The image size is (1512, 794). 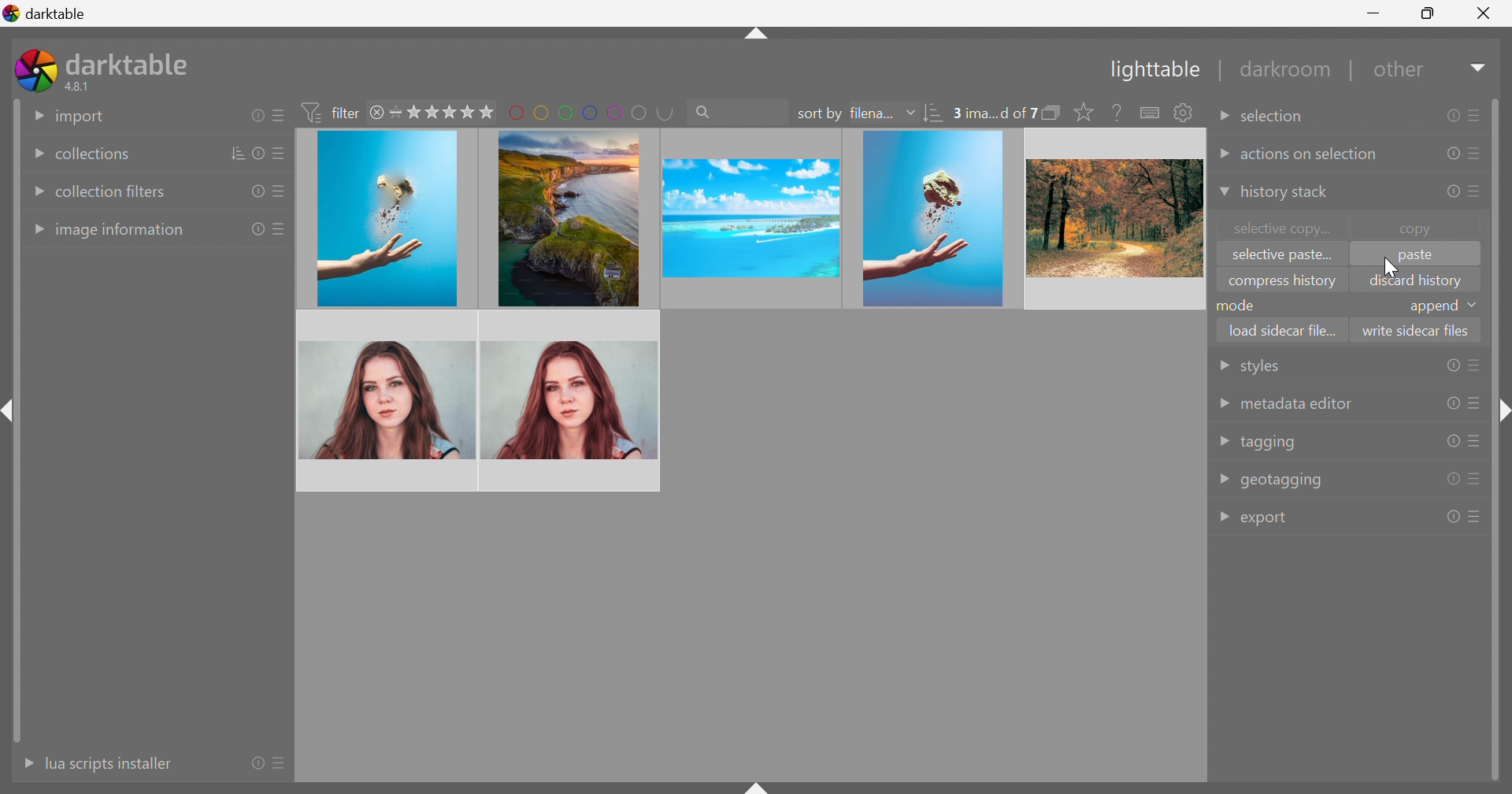 I want to click on Drop Down, so click(x=910, y=112).